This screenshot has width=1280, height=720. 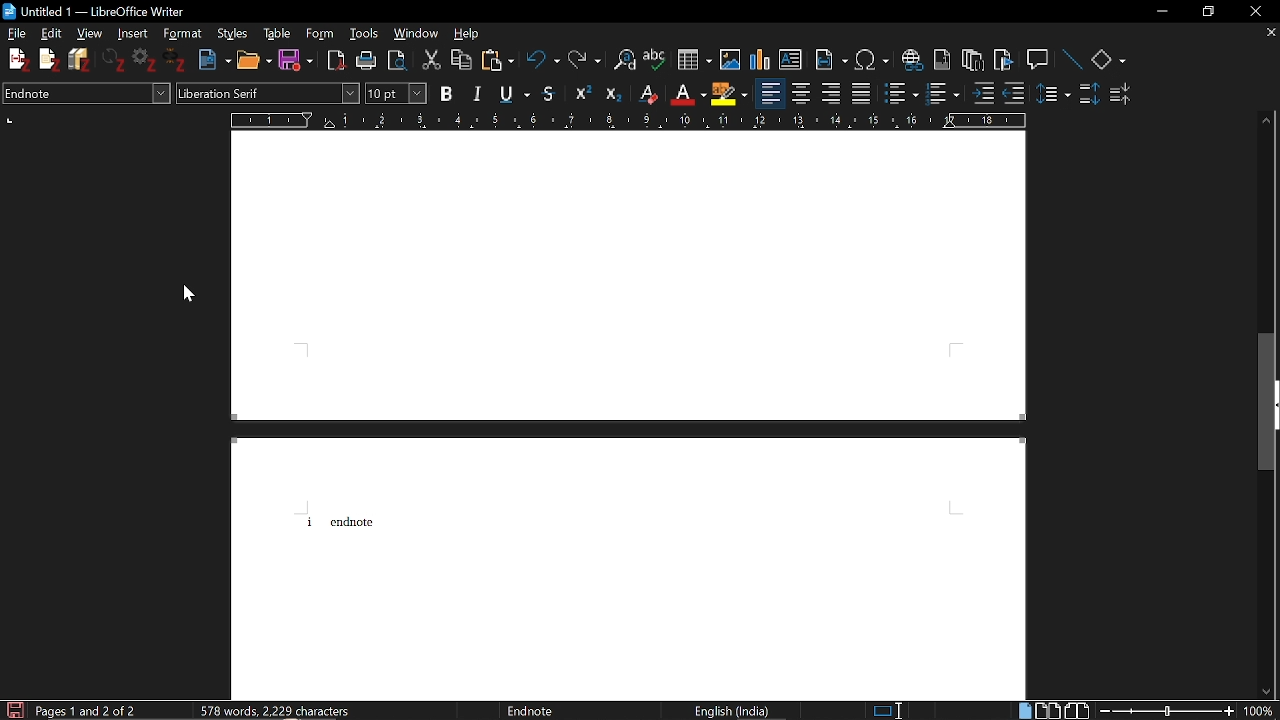 What do you see at coordinates (792, 60) in the screenshot?
I see `Insert text` at bounding box center [792, 60].